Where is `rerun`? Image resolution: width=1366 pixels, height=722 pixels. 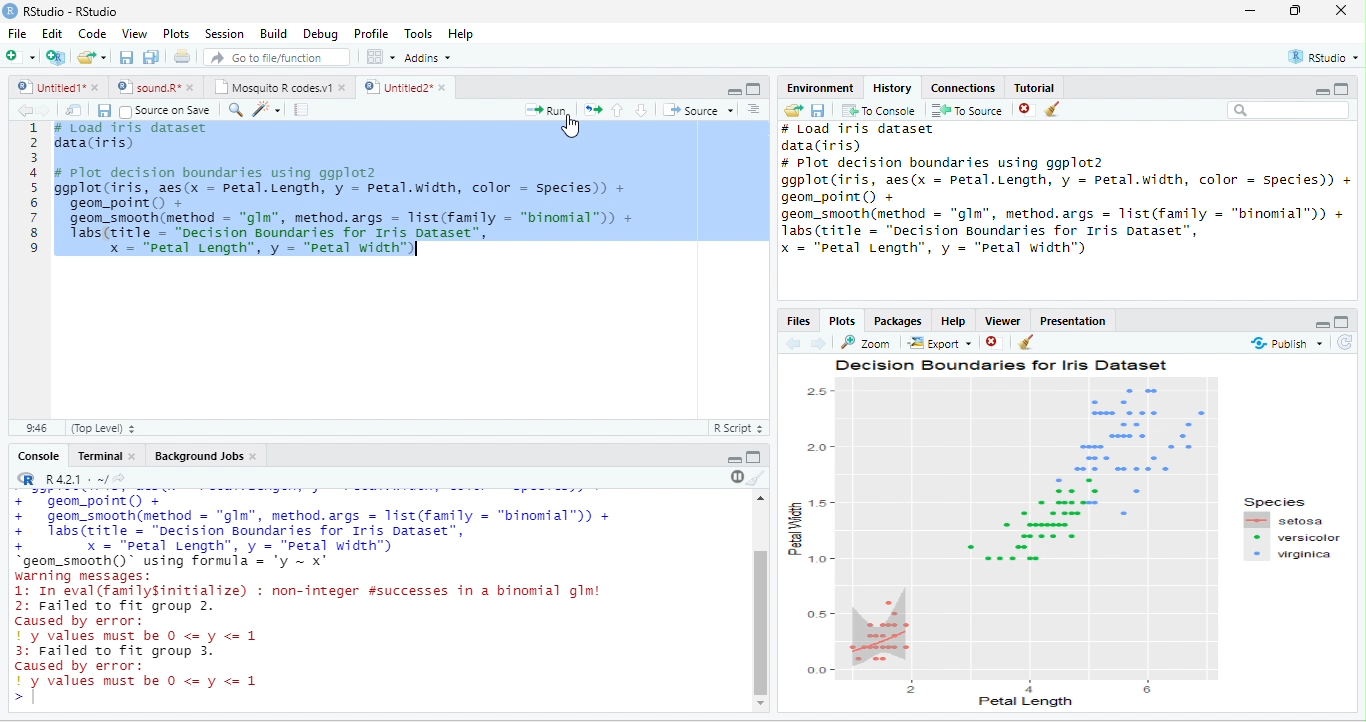
rerun is located at coordinates (592, 110).